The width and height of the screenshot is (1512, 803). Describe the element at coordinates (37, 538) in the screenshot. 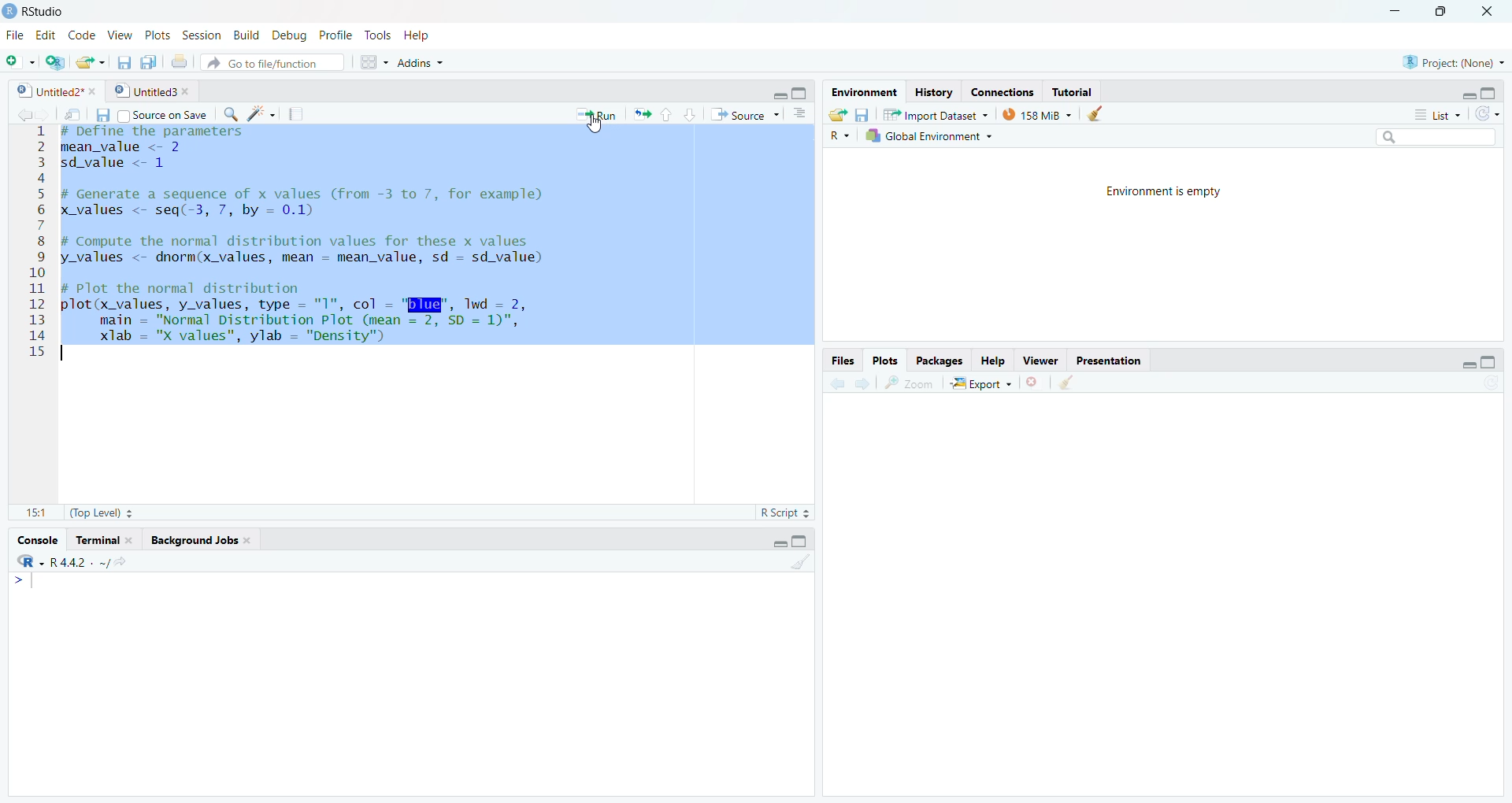

I see `Console` at that location.